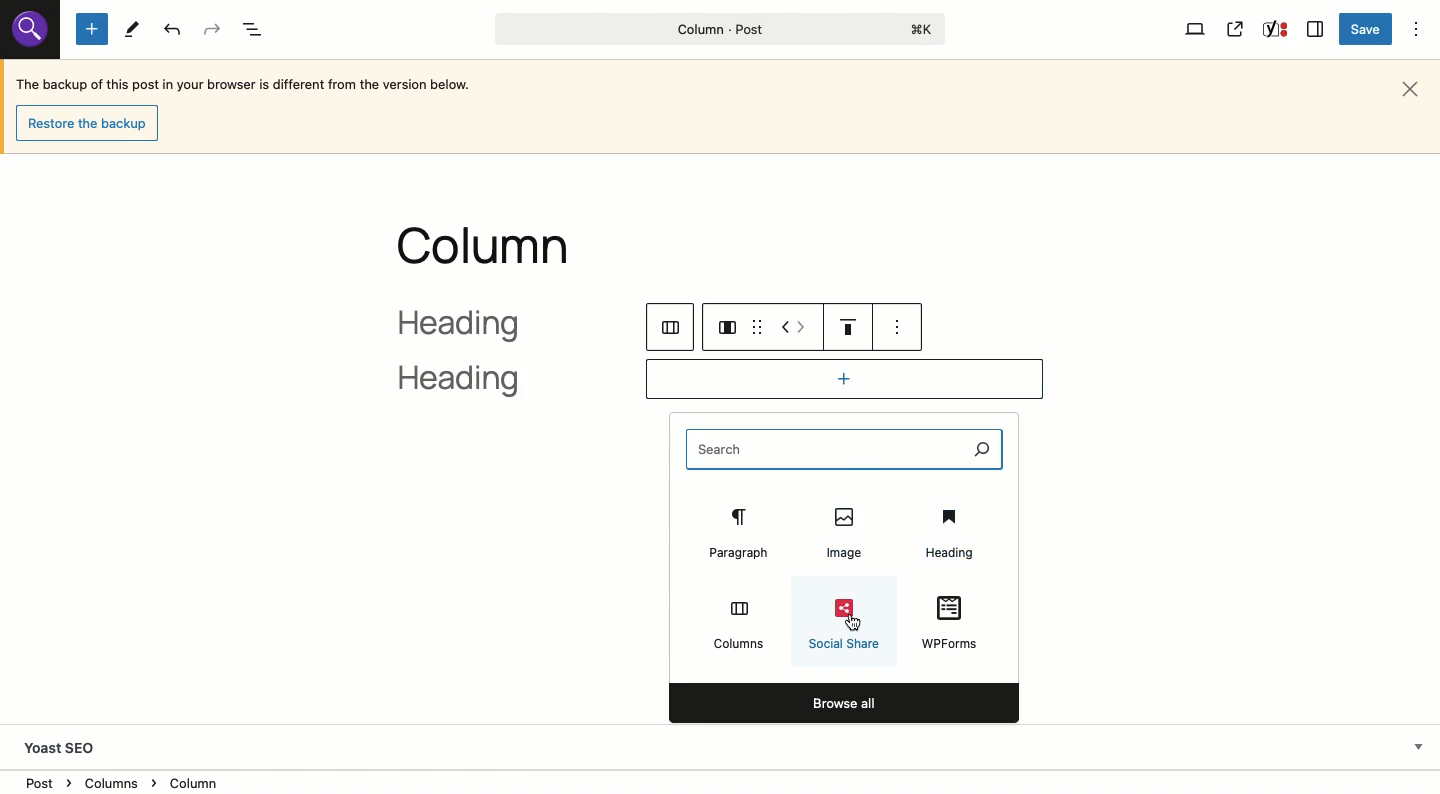 The image size is (1440, 794). I want to click on Image, so click(847, 533).